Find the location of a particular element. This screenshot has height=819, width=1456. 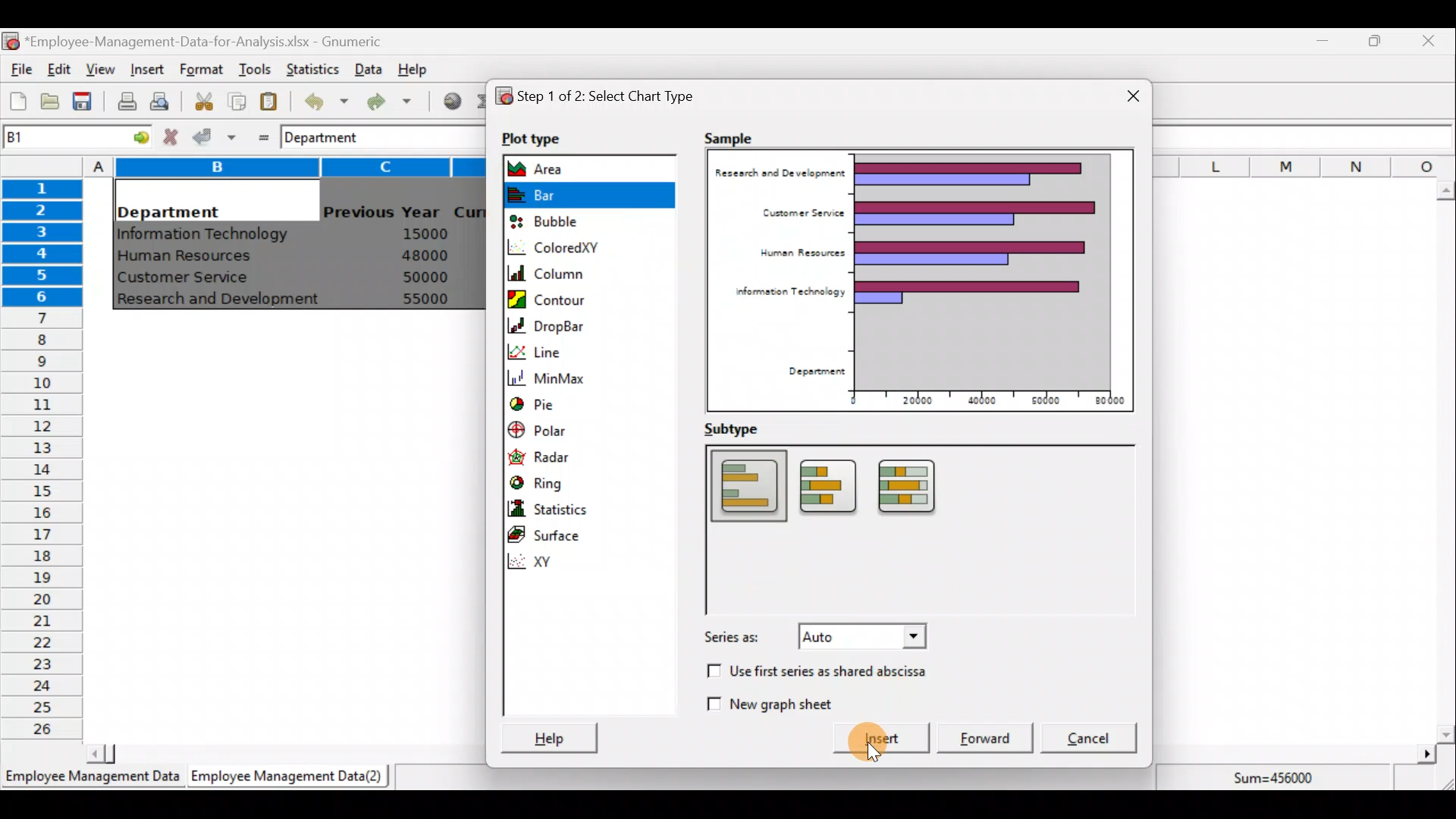

New graph sheet is located at coordinates (783, 702).